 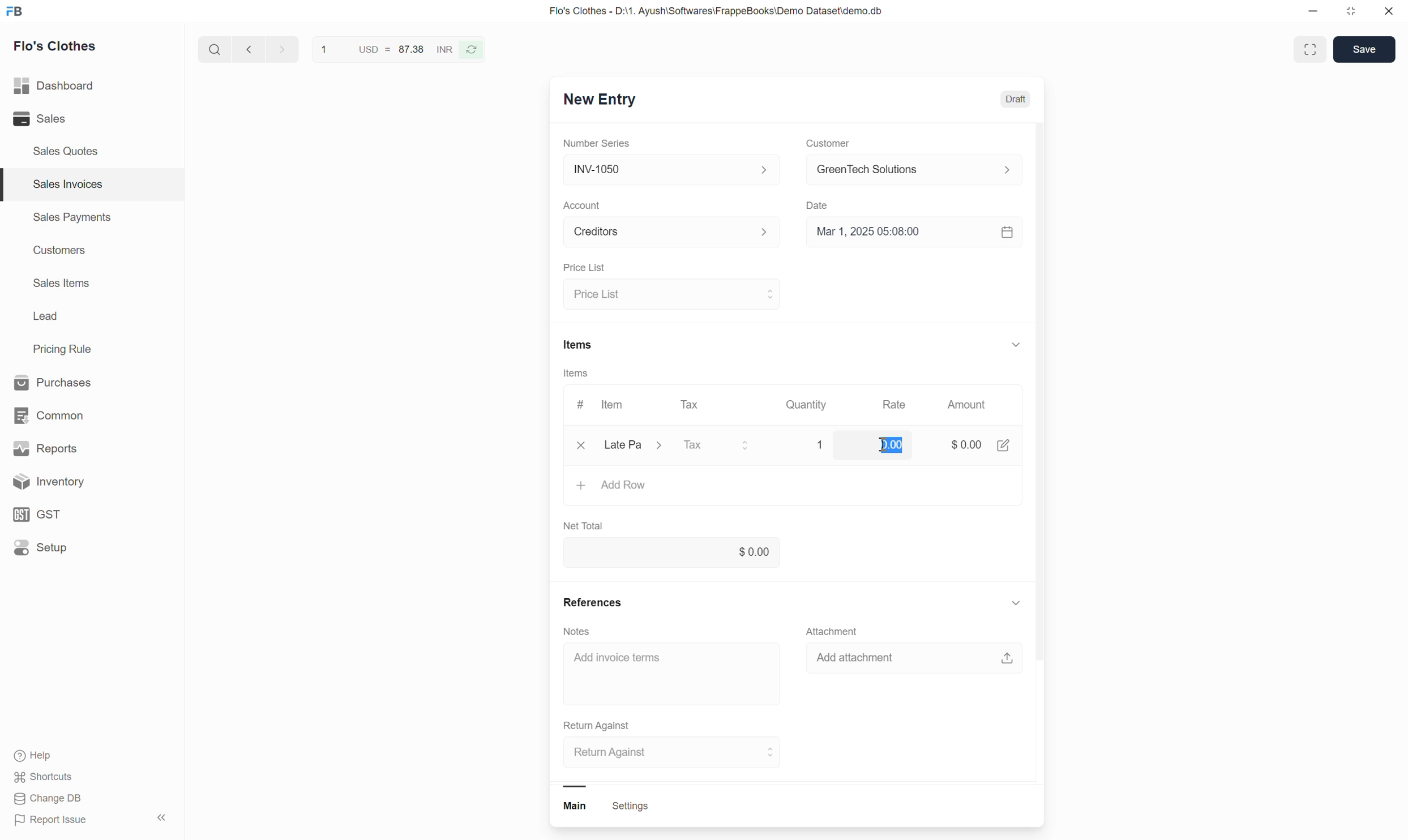 What do you see at coordinates (79, 513) in the screenshot?
I see `GST ` at bounding box center [79, 513].